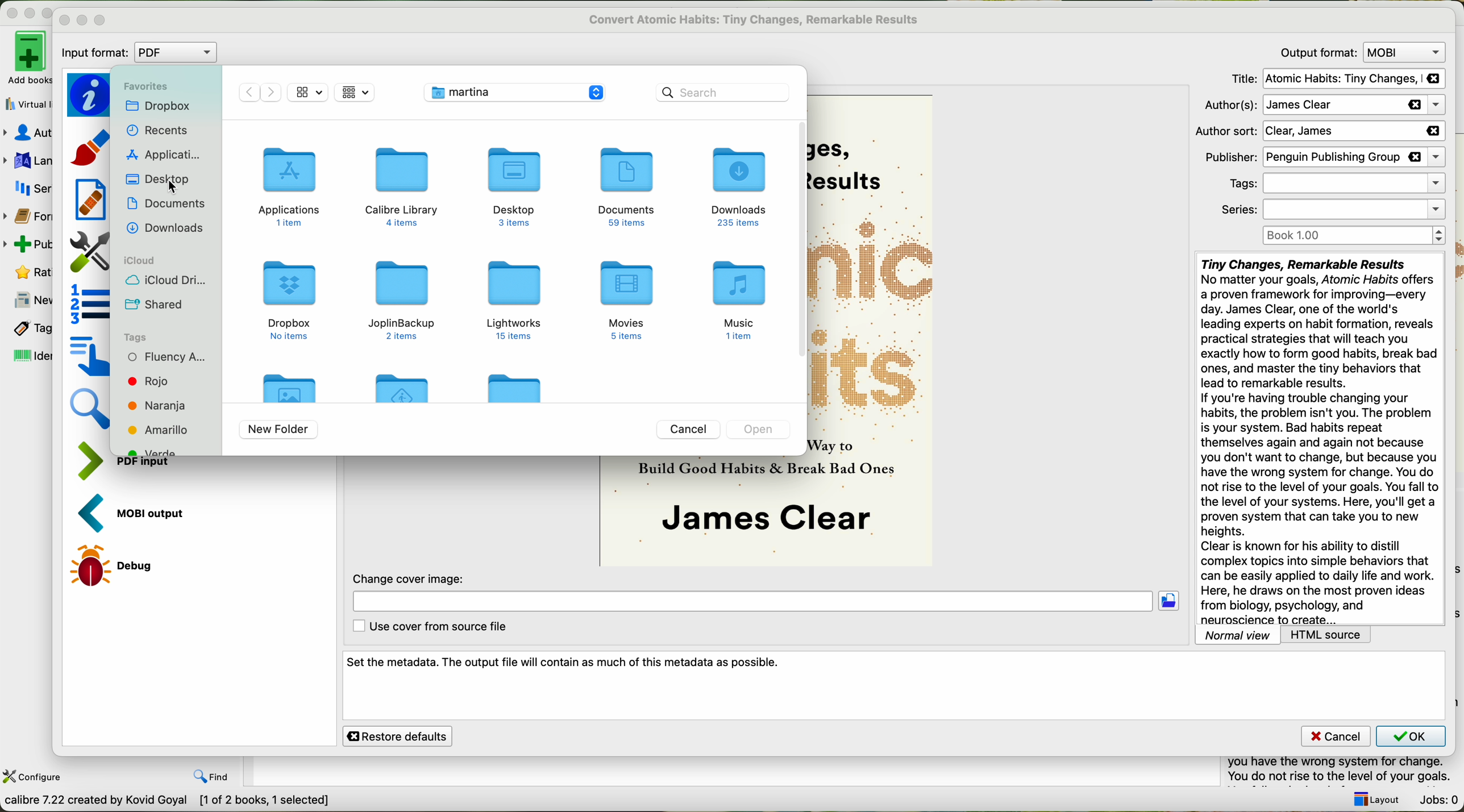  I want to click on metadata, so click(91, 94).